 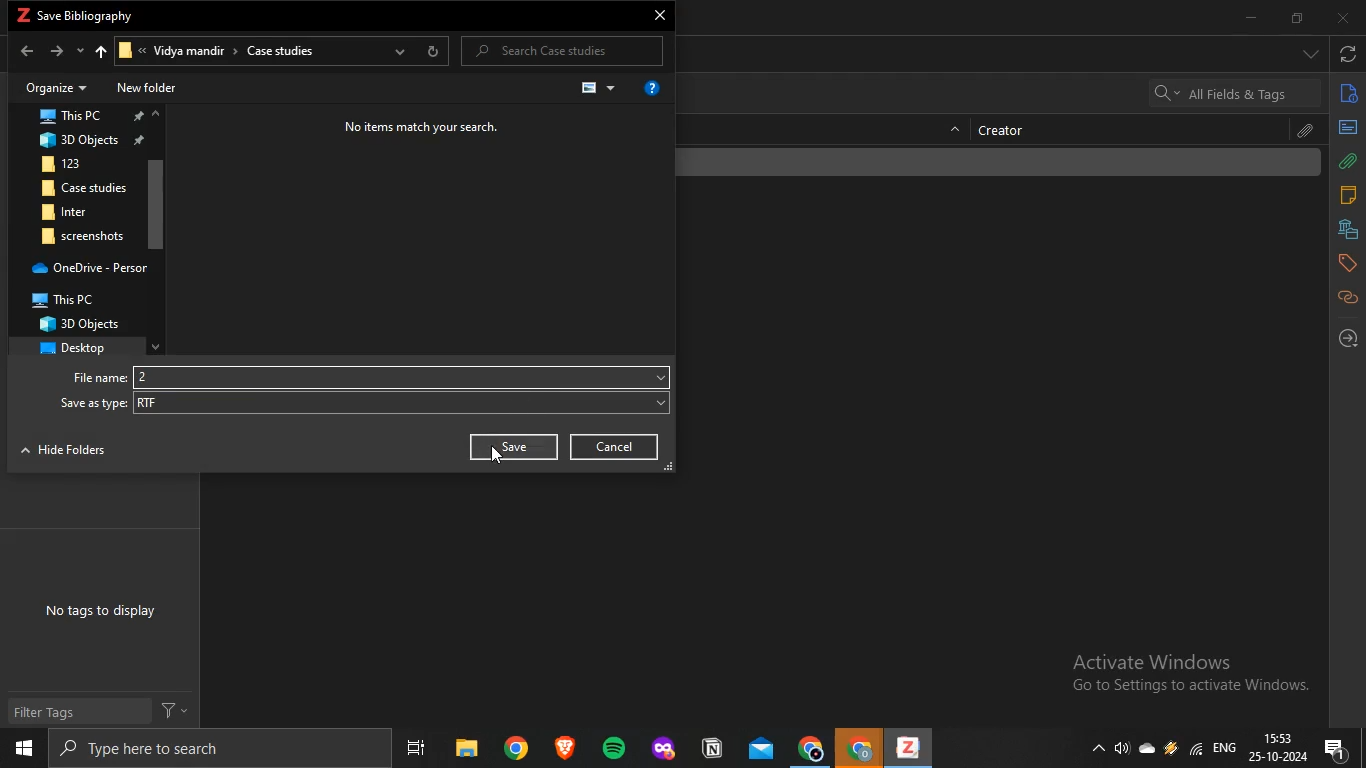 I want to click on cursor, so click(x=502, y=456).